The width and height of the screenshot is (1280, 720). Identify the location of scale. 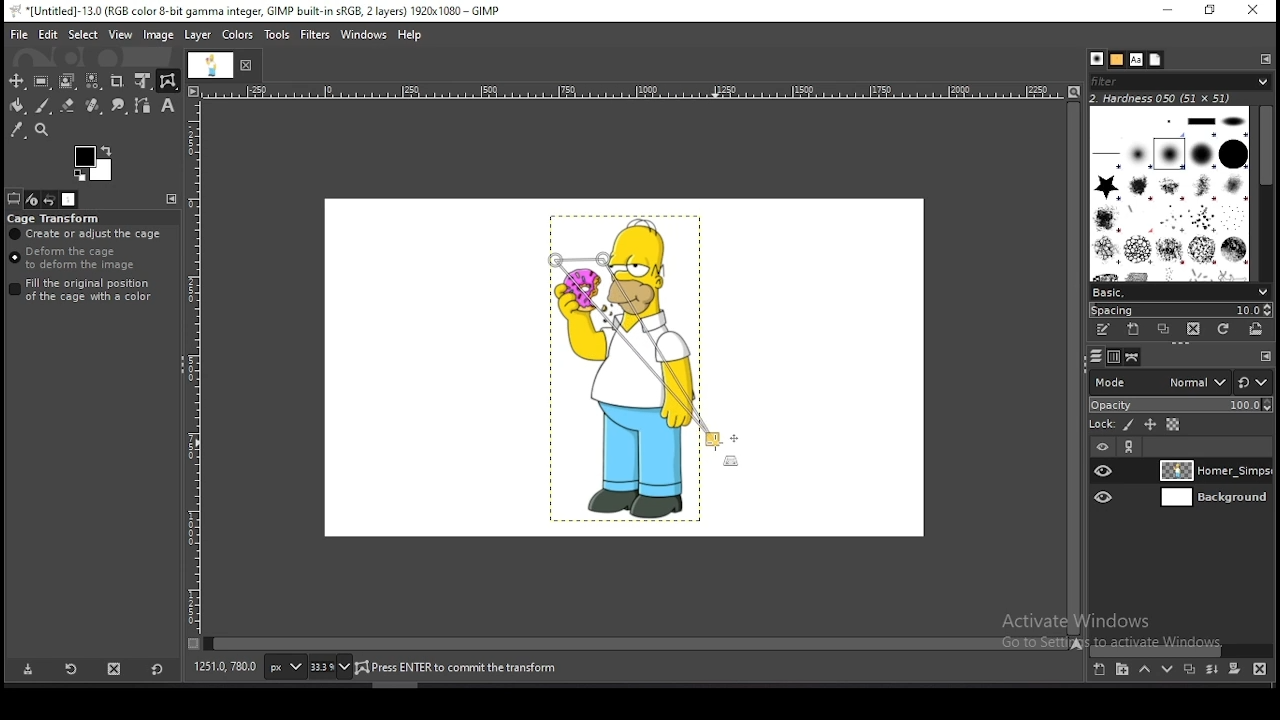
(193, 372).